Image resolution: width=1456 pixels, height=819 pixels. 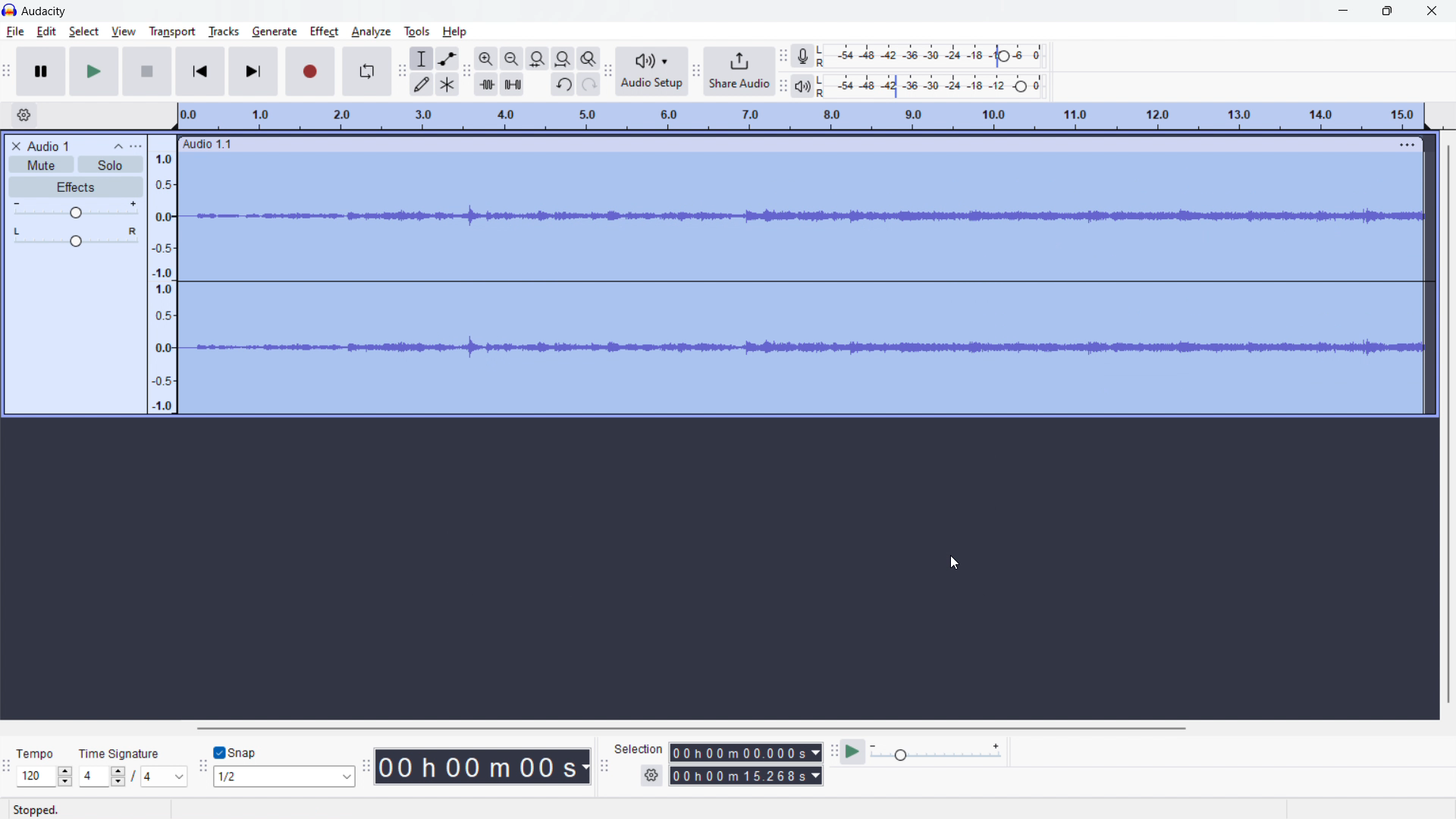 I want to click on view, so click(x=124, y=32).